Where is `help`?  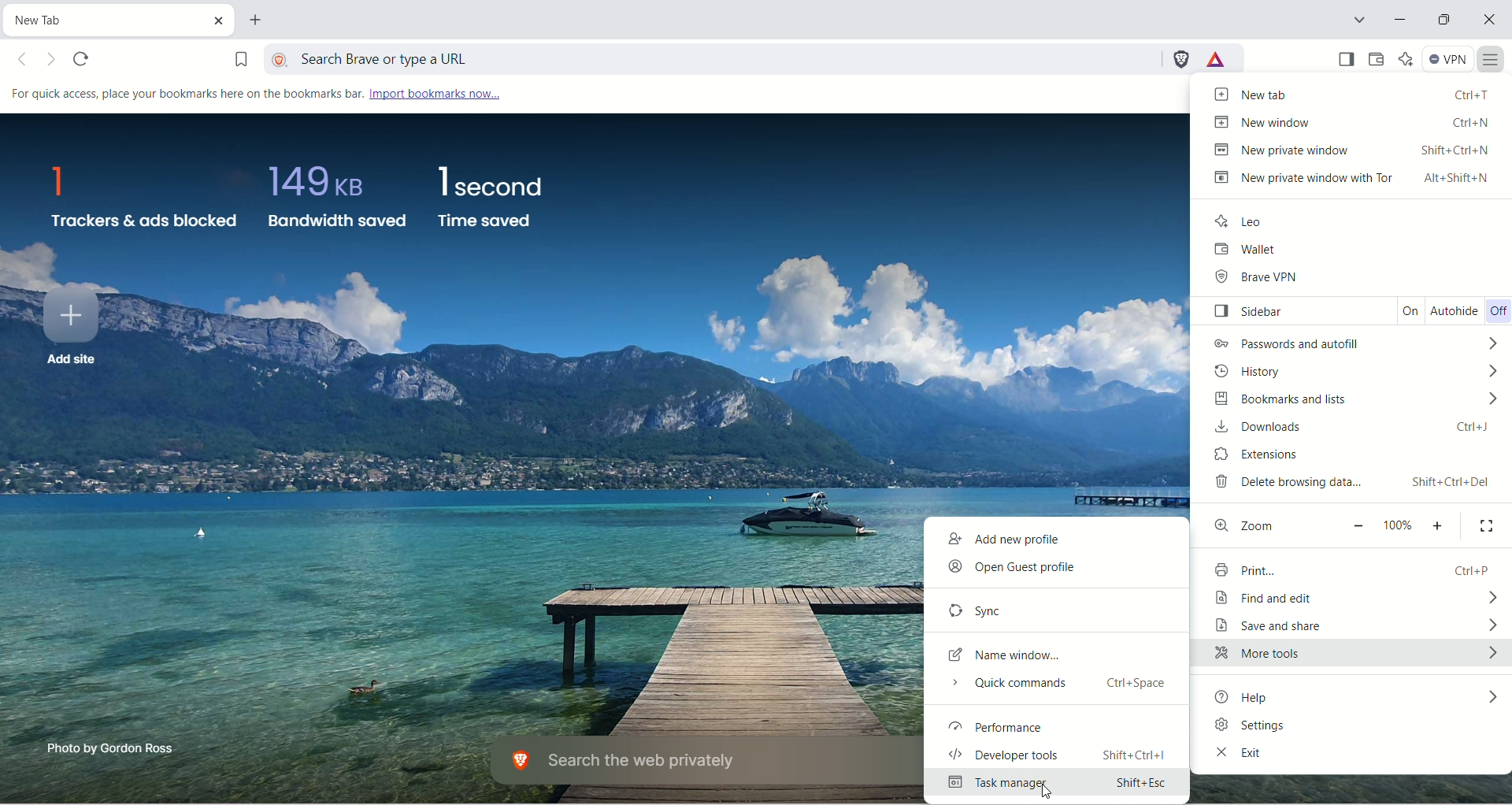
help is located at coordinates (1358, 699).